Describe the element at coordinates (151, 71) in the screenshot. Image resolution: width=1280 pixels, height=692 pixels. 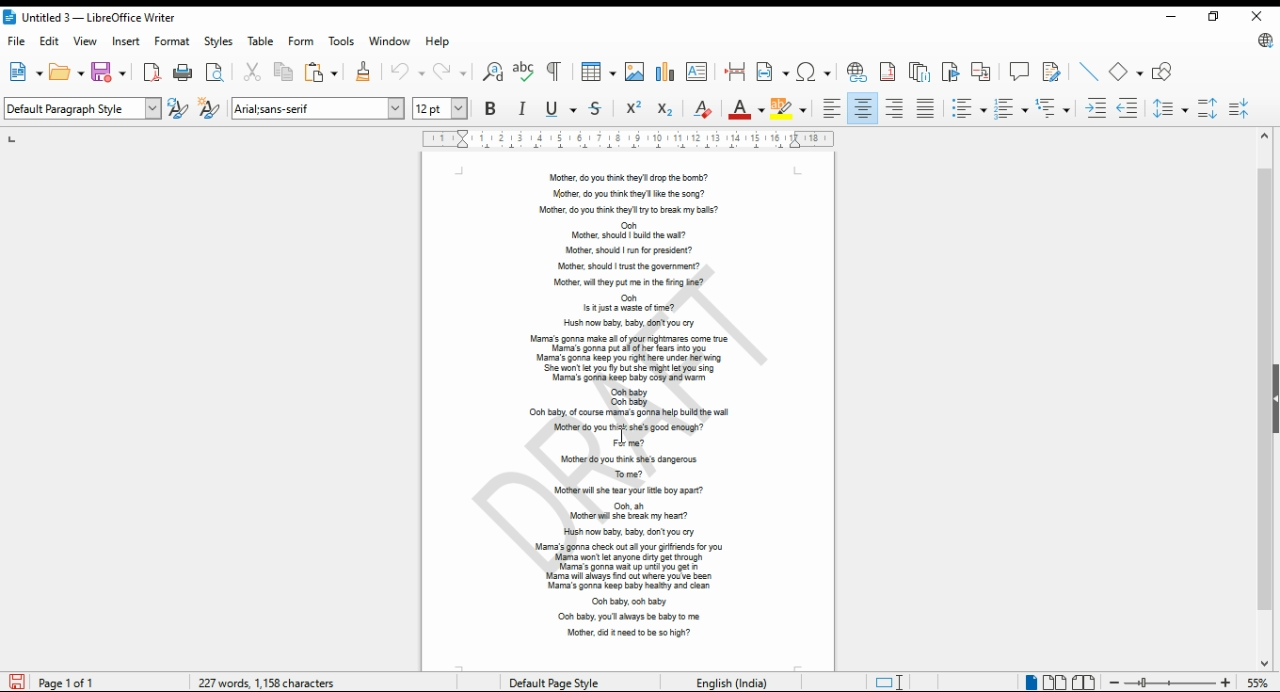
I see `export directly as pdf` at that location.